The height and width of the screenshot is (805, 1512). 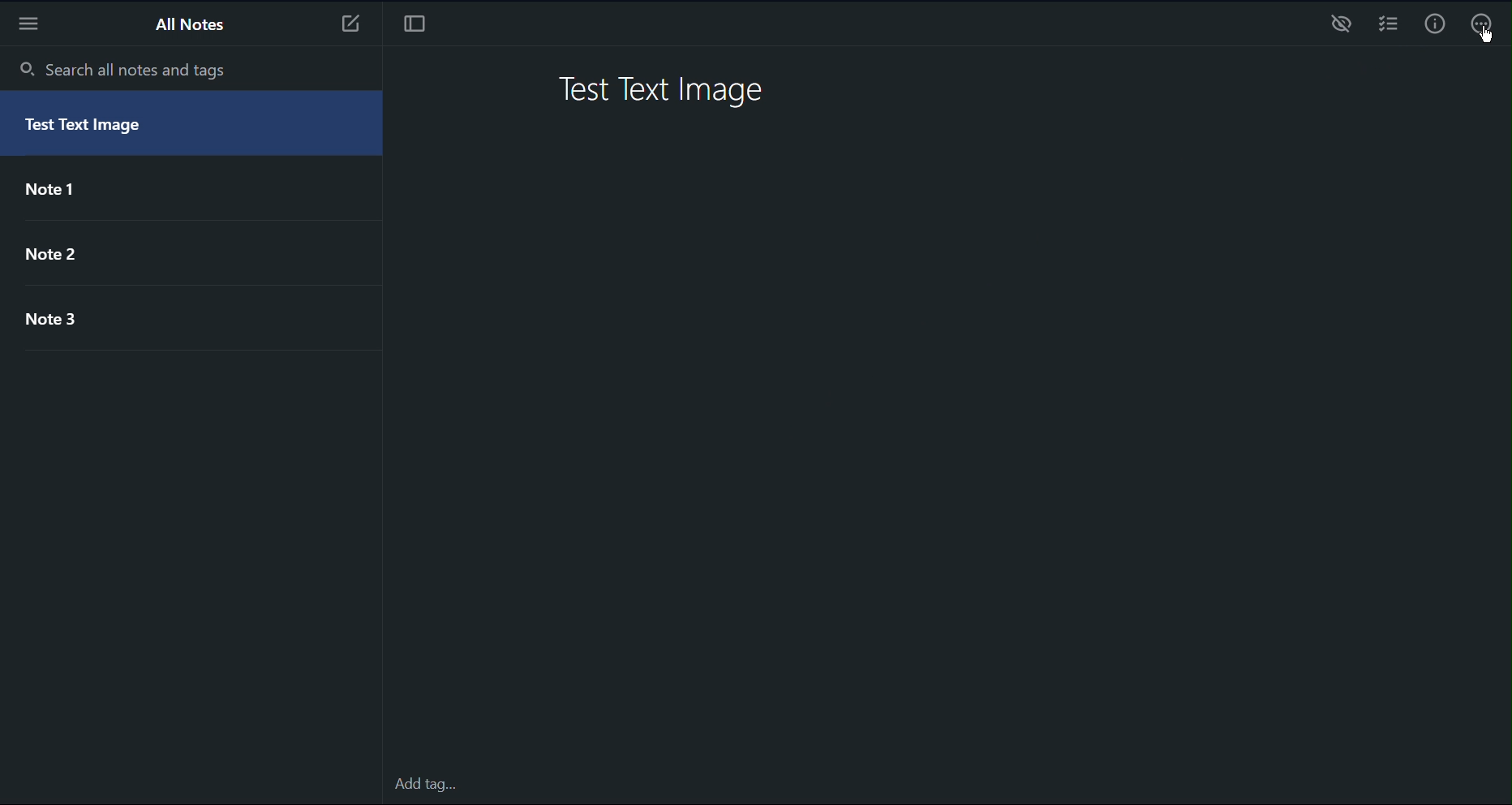 What do you see at coordinates (1342, 26) in the screenshot?
I see `Preview` at bounding box center [1342, 26].